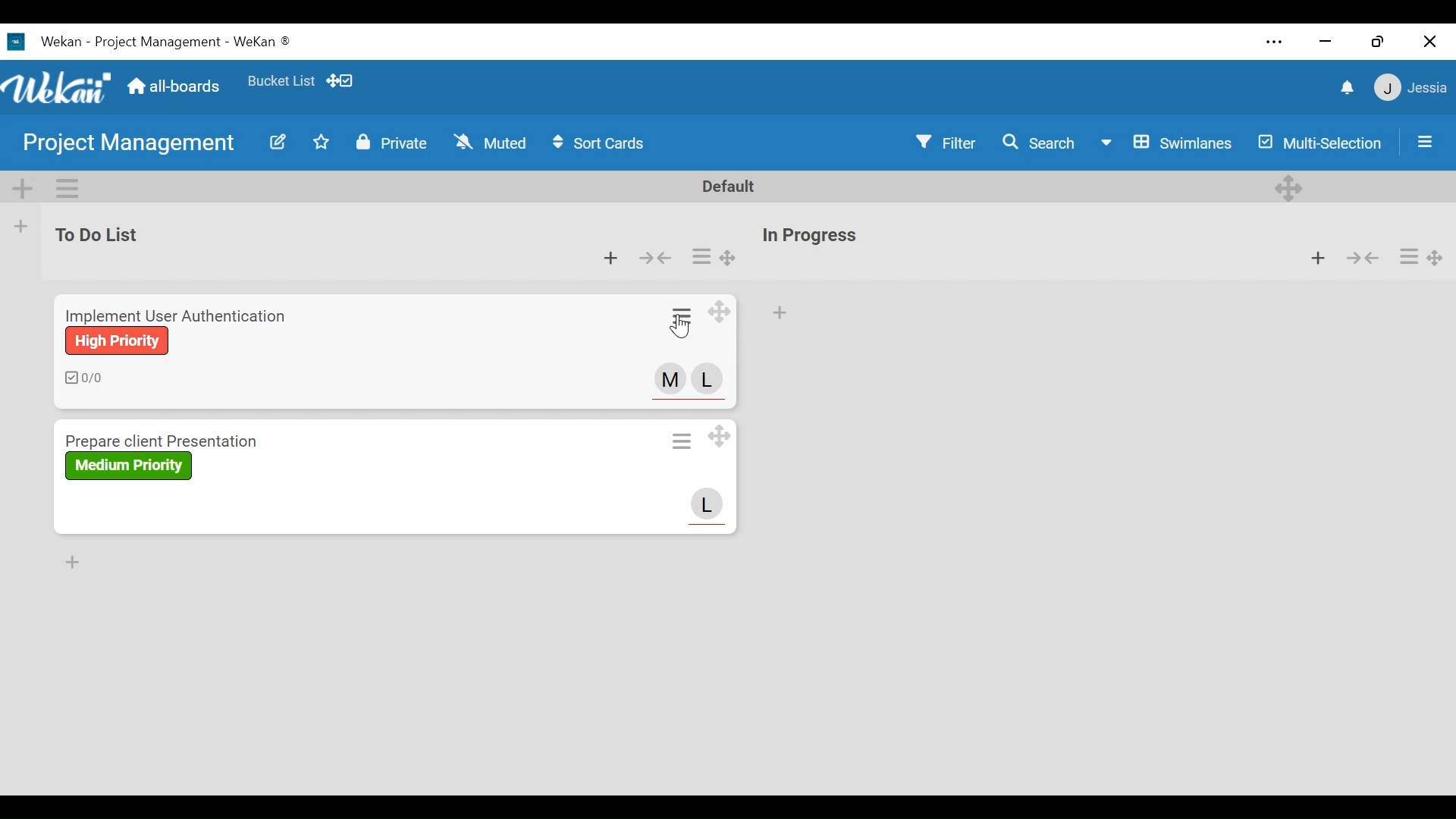  I want to click on Cursor, so click(679, 328).